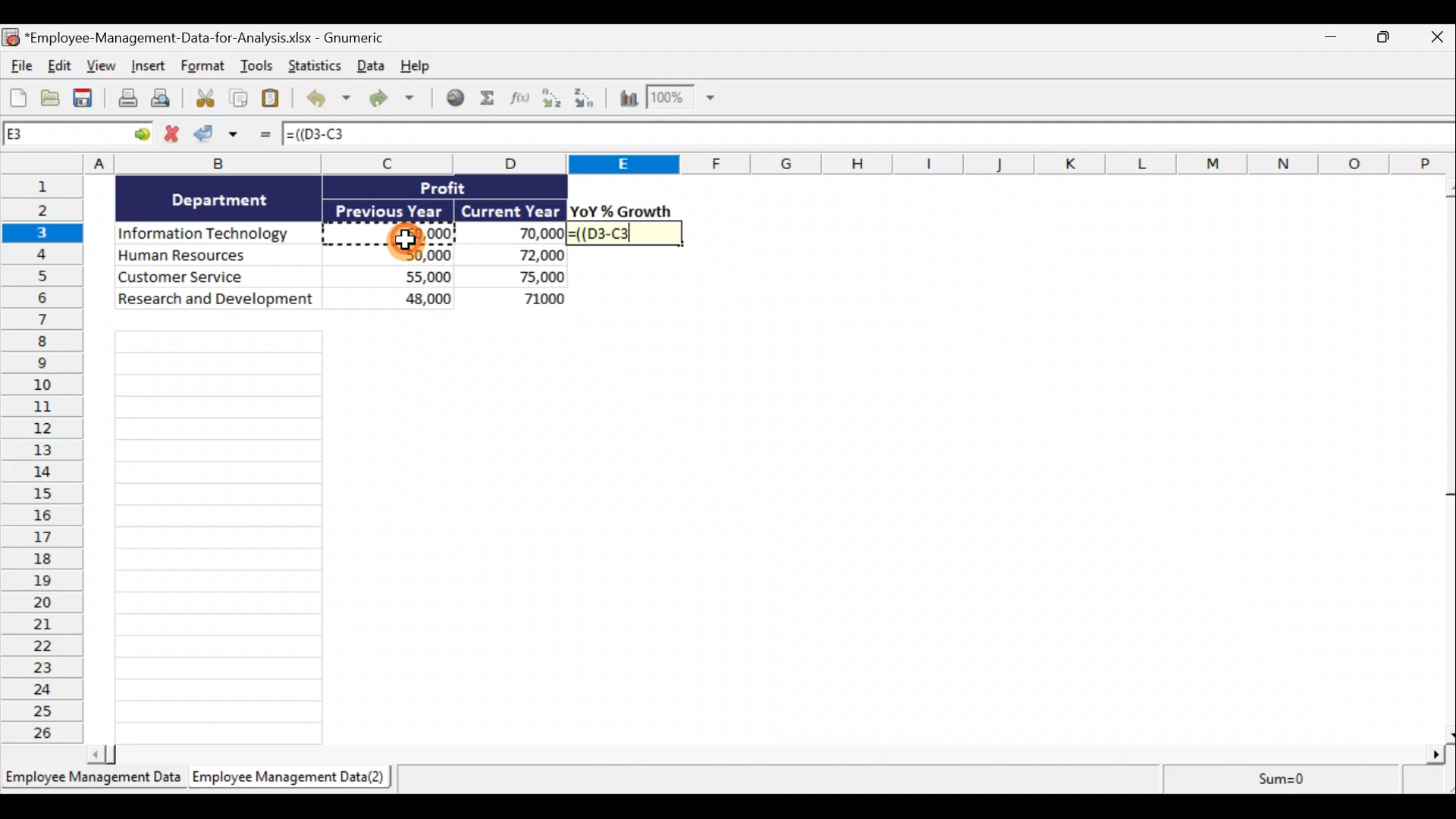 The image size is (1456, 819). I want to click on Paste clipboard, so click(274, 99).